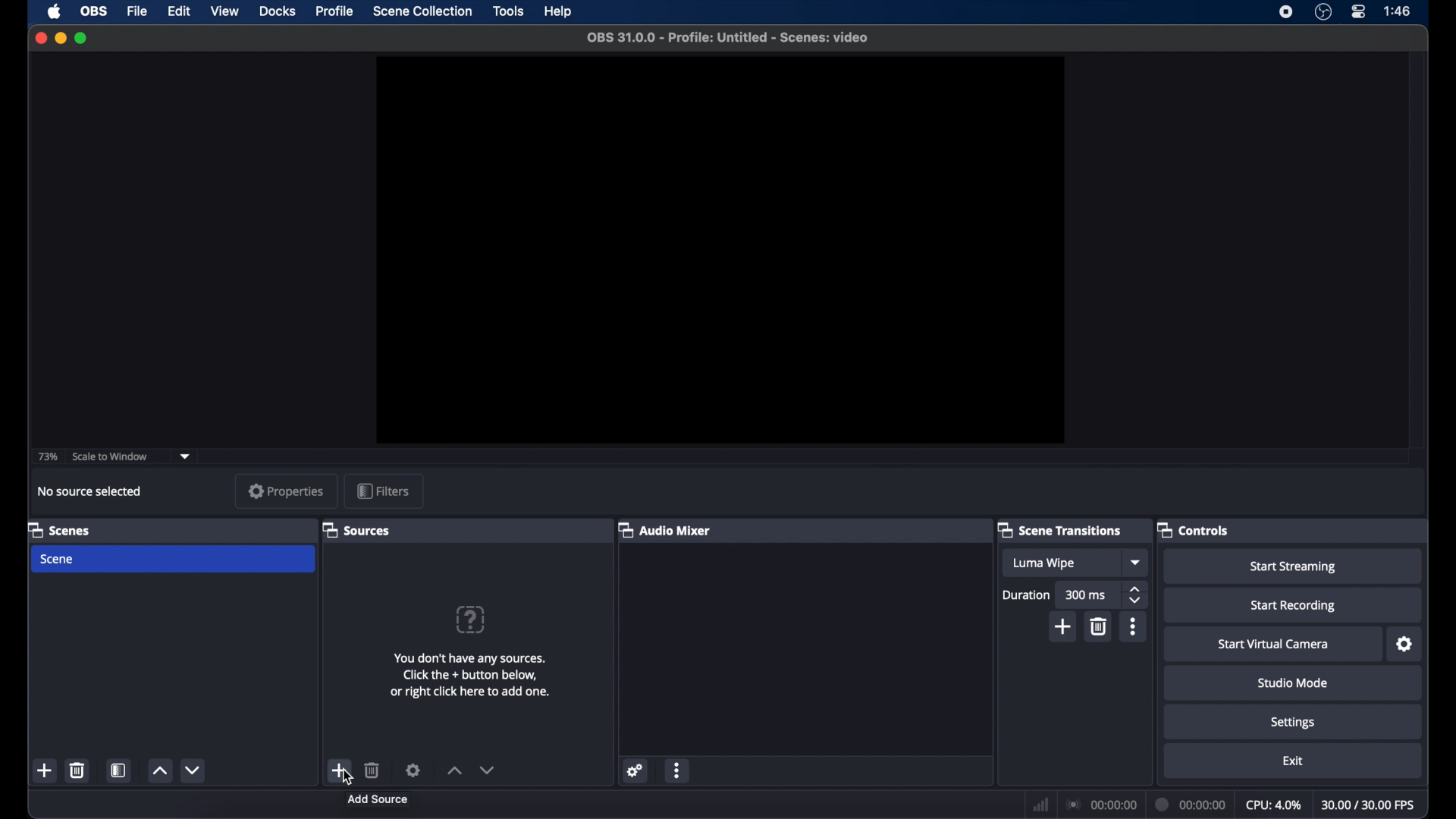 This screenshot has width=1456, height=819. I want to click on duration, so click(1025, 595).